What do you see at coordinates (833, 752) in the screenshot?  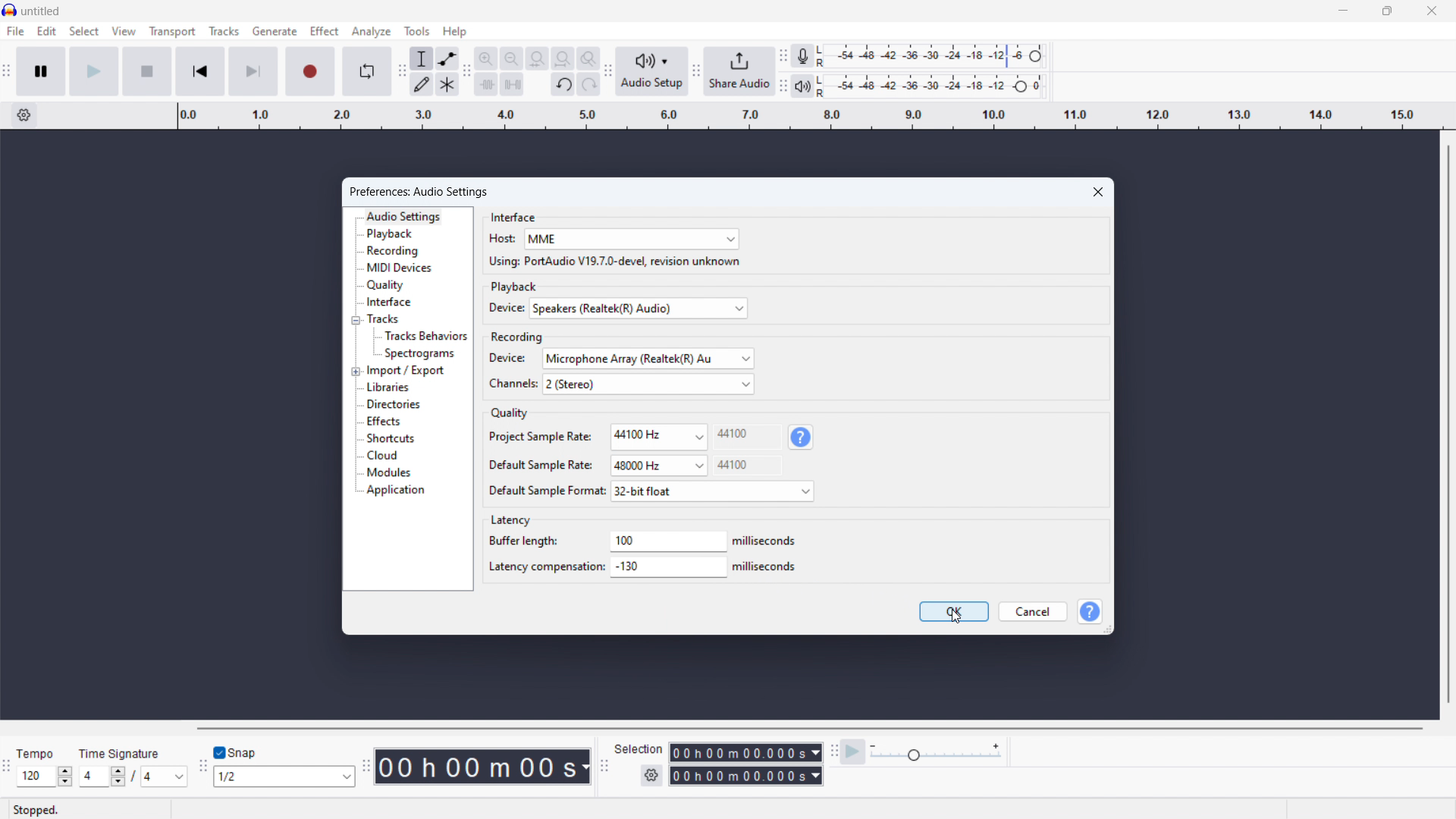 I see `play at speed toolbar` at bounding box center [833, 752].